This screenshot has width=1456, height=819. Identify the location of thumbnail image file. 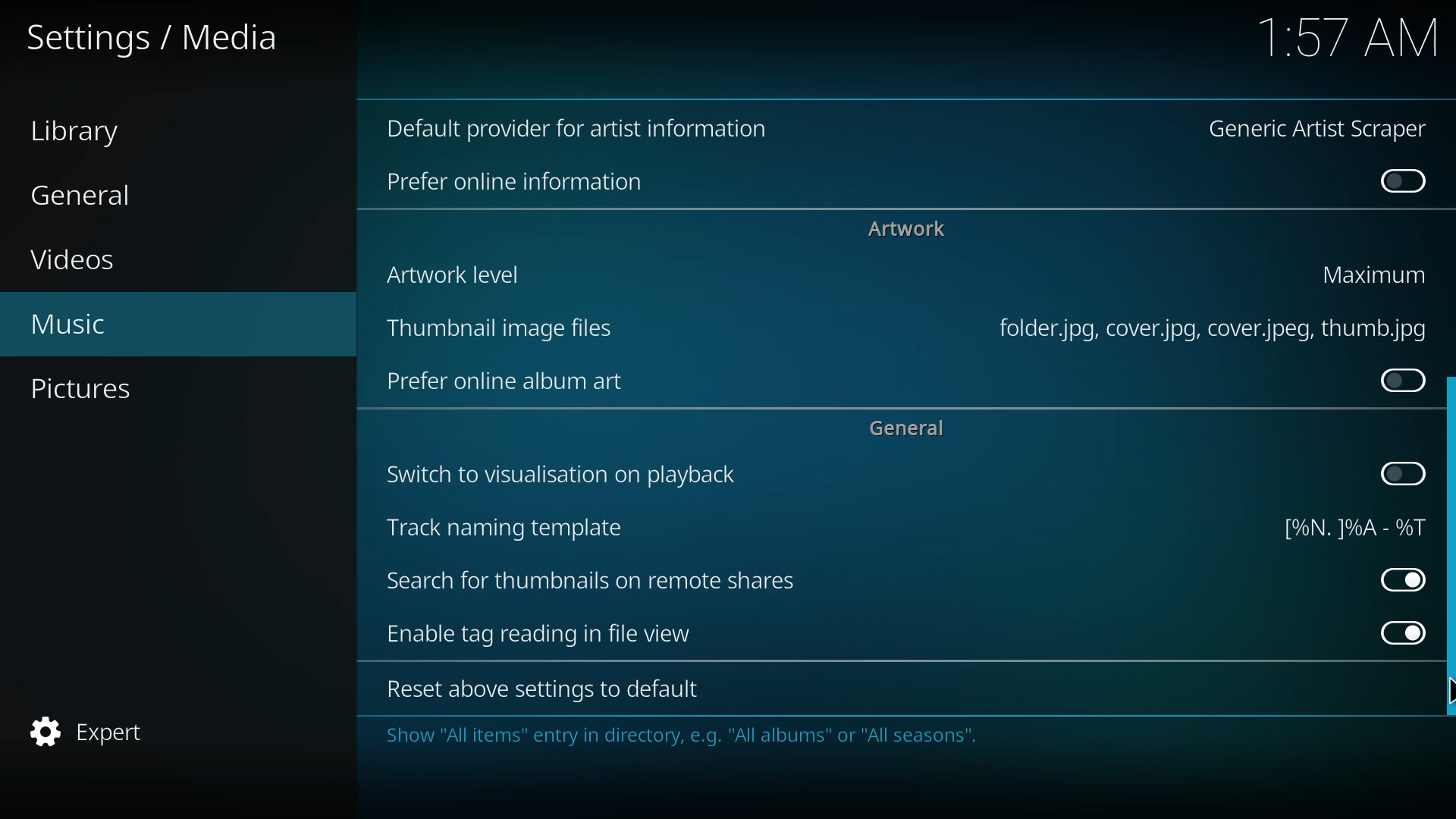
(493, 328).